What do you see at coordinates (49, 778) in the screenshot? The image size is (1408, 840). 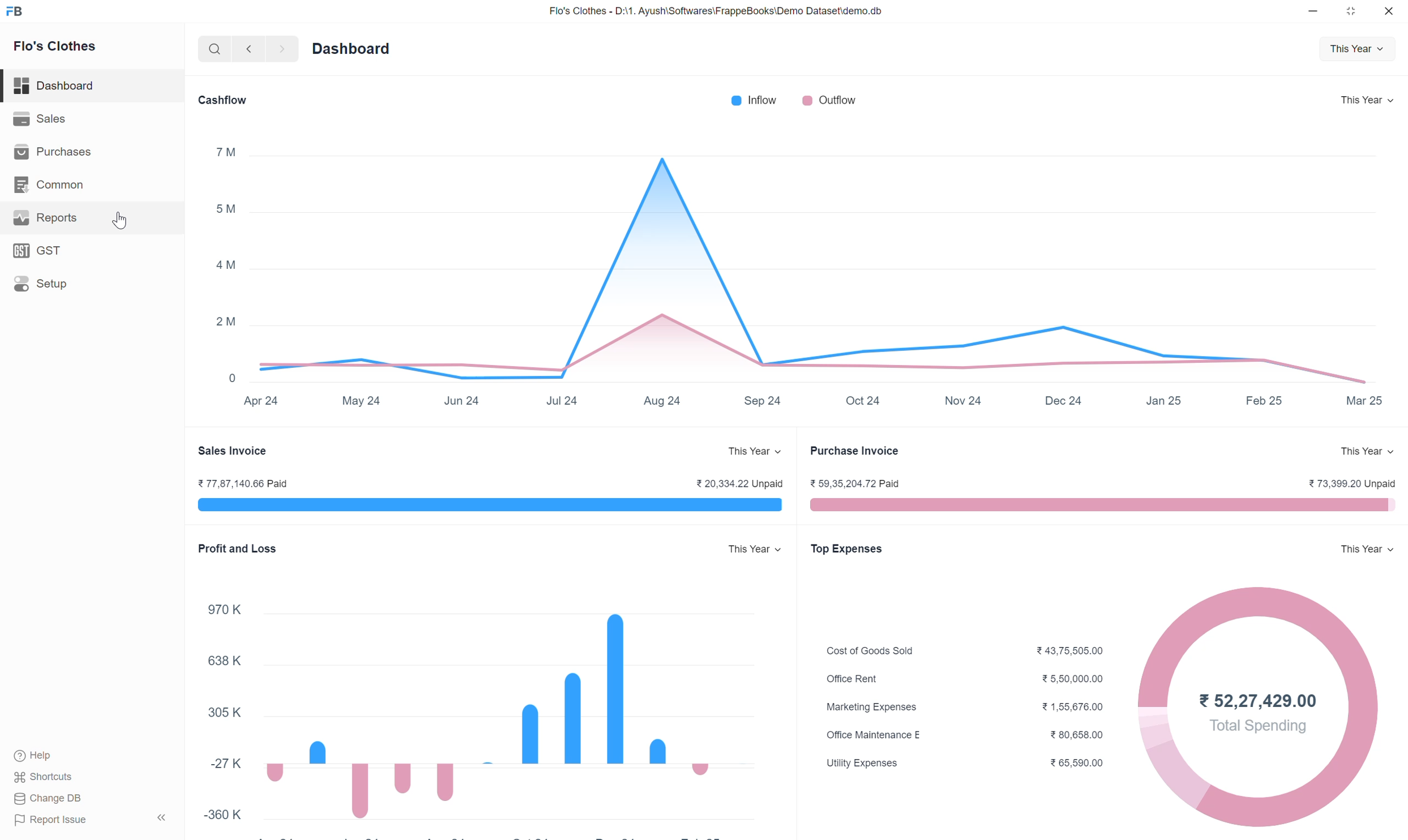 I see `Shortcuts` at bounding box center [49, 778].